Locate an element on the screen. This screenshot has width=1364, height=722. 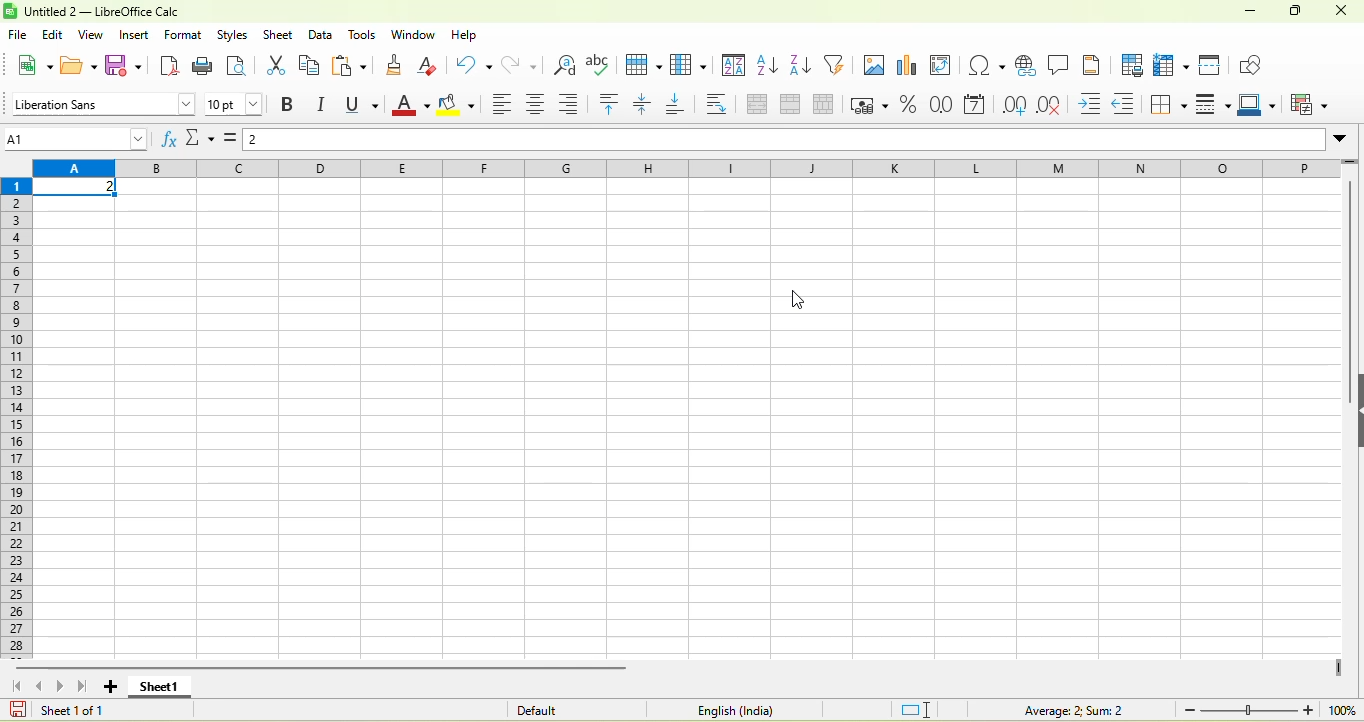
wrap is located at coordinates (723, 105).